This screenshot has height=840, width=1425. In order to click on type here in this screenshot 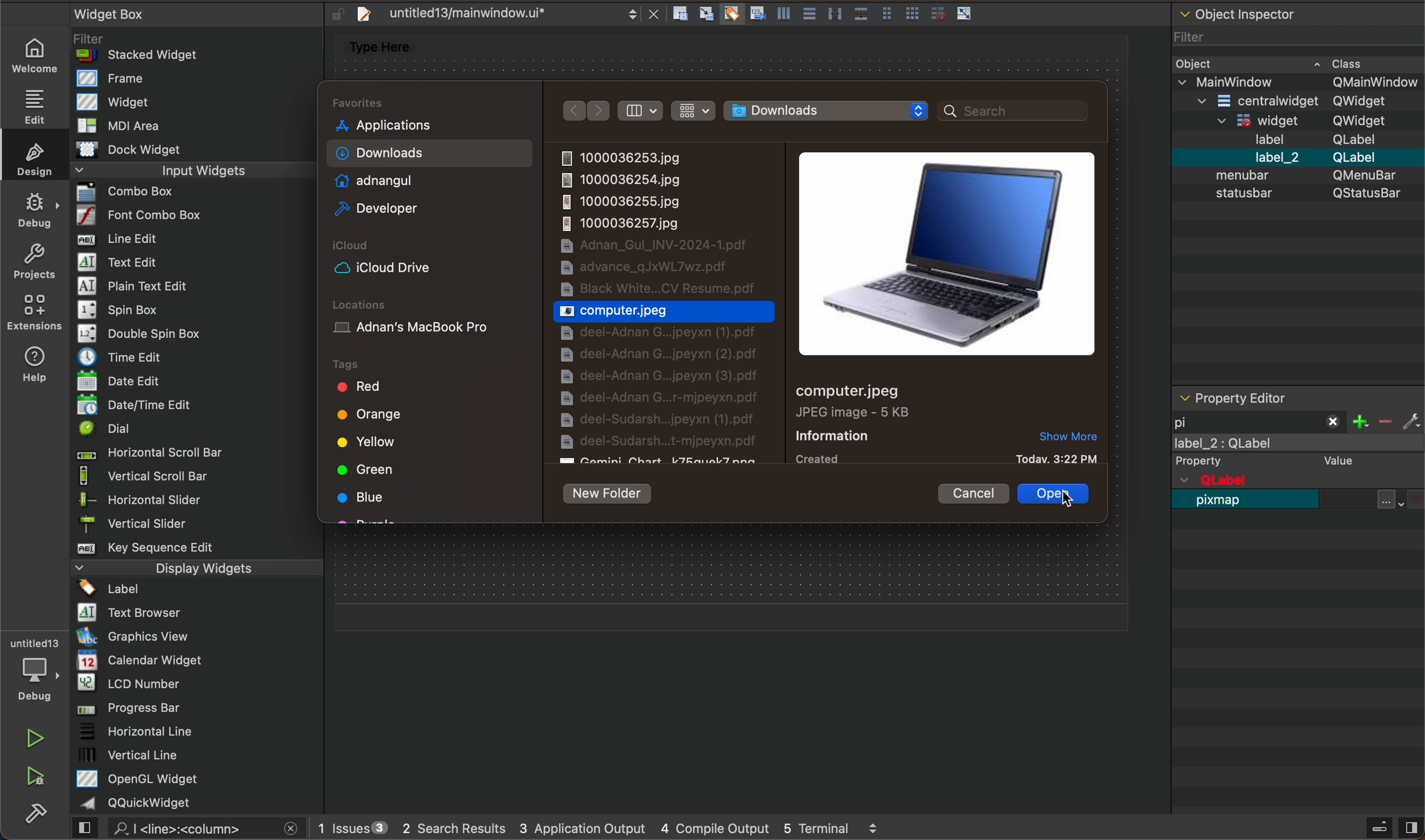, I will do `click(386, 48)`.